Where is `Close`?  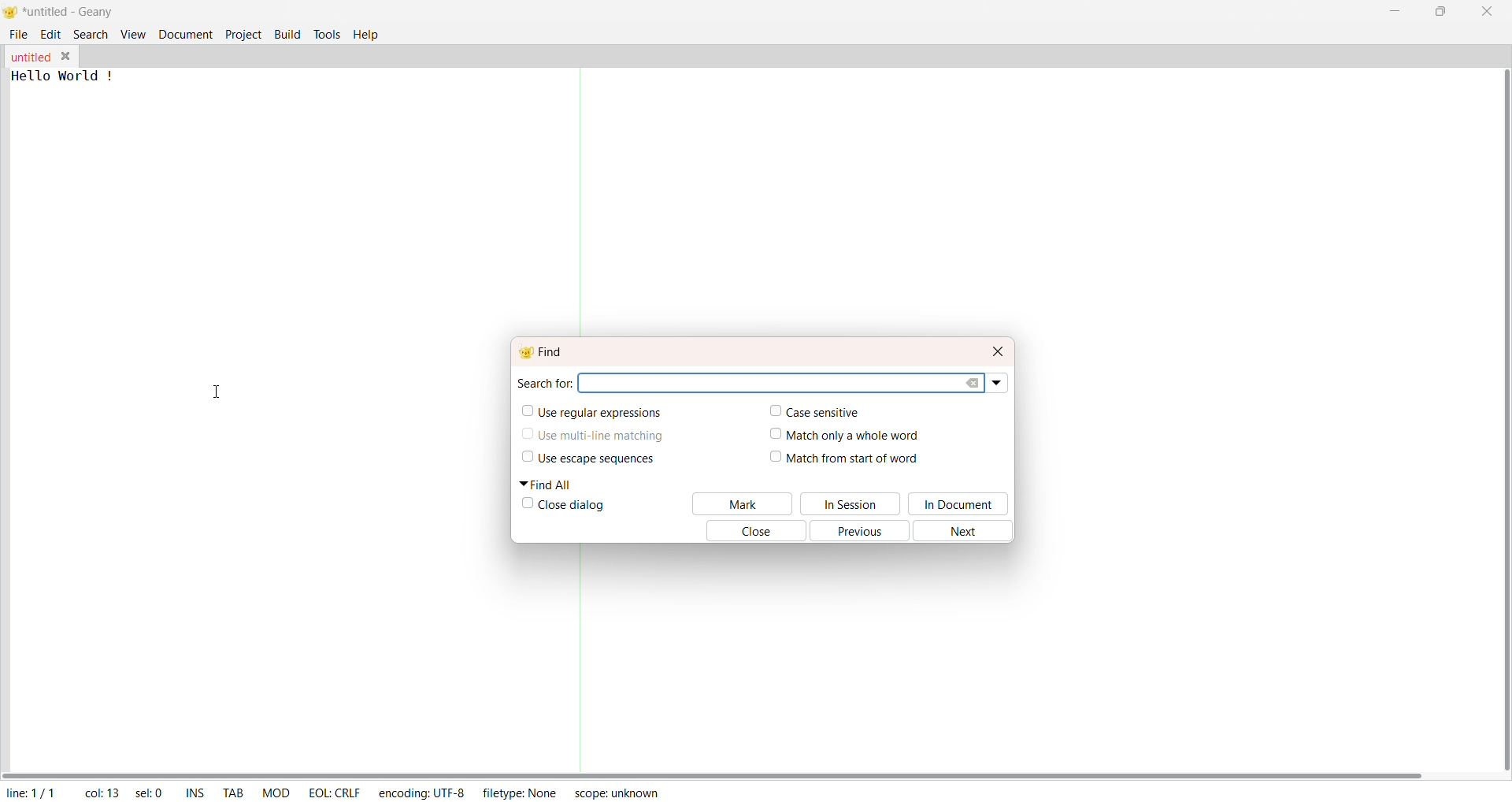 Close is located at coordinates (750, 532).